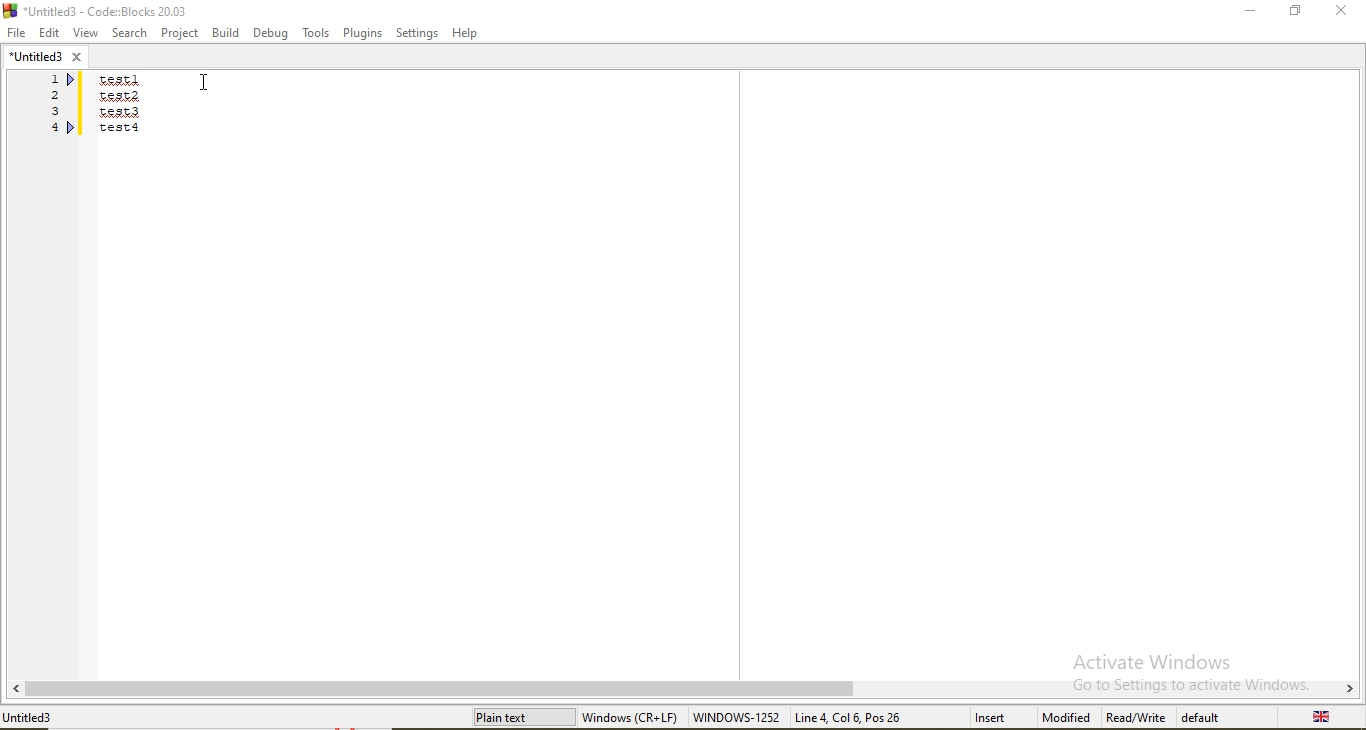 The image size is (1366, 730). I want to click on Settings , so click(414, 34).